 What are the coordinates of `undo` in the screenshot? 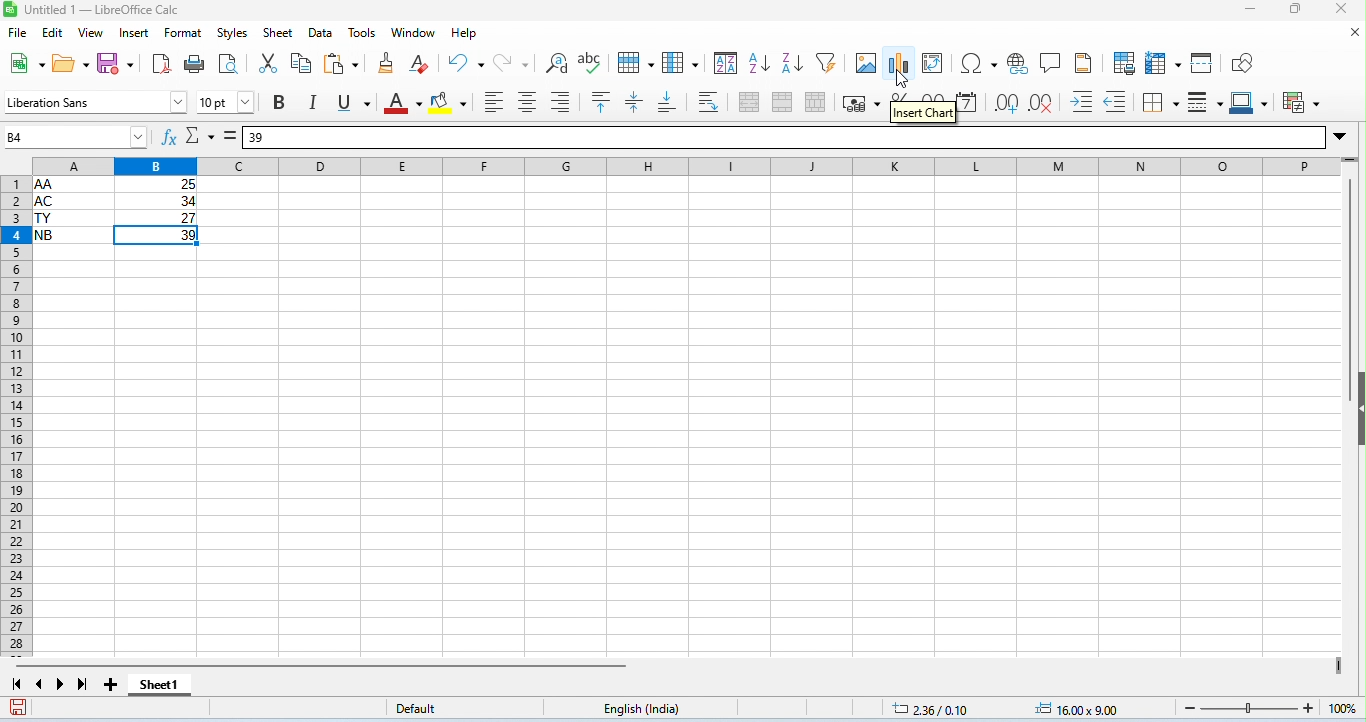 It's located at (466, 65).